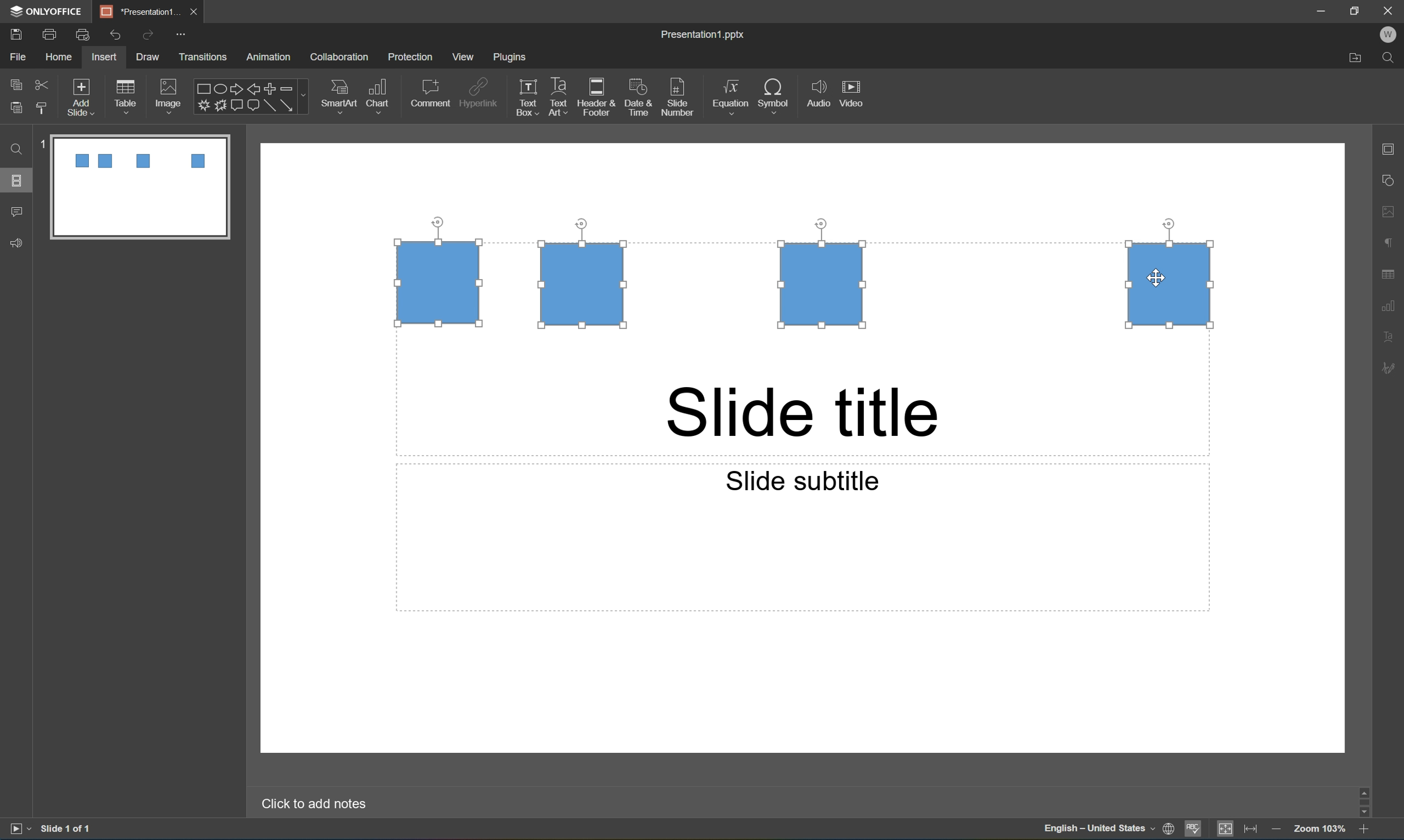  Describe the element at coordinates (66, 830) in the screenshot. I see `slide 1 of 1` at that location.